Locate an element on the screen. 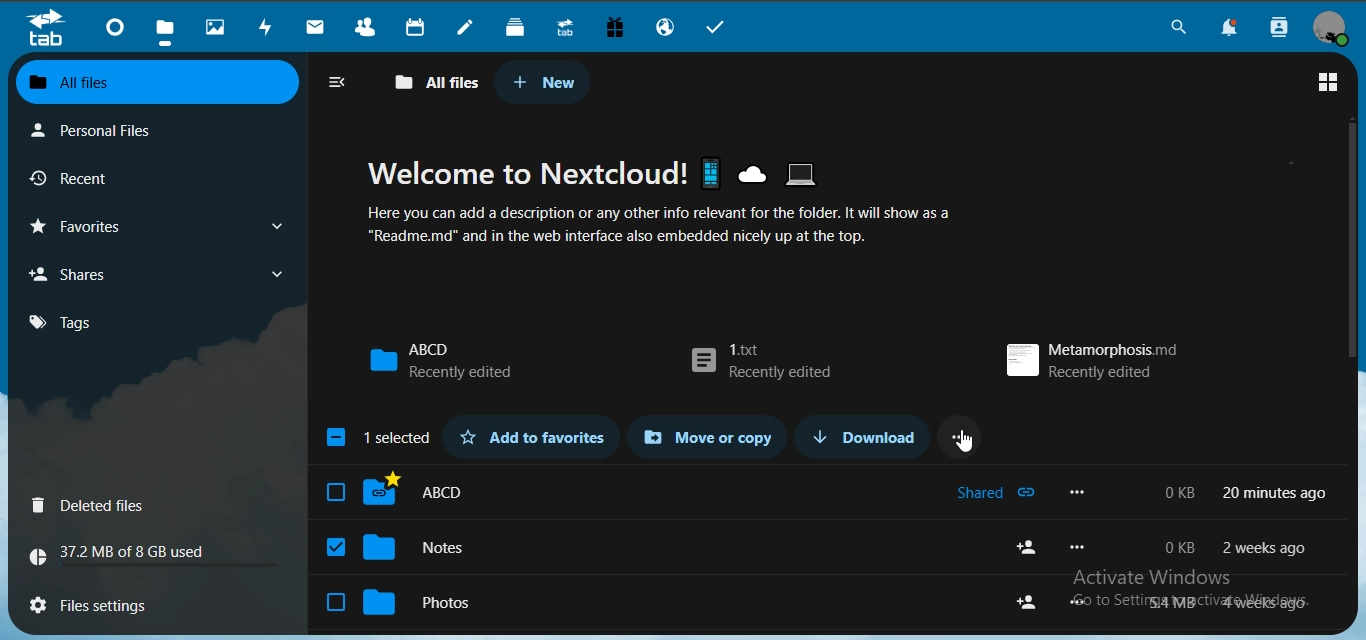 The height and width of the screenshot is (640, 1366). 37.2 MB of 8 GB used is located at coordinates (158, 558).